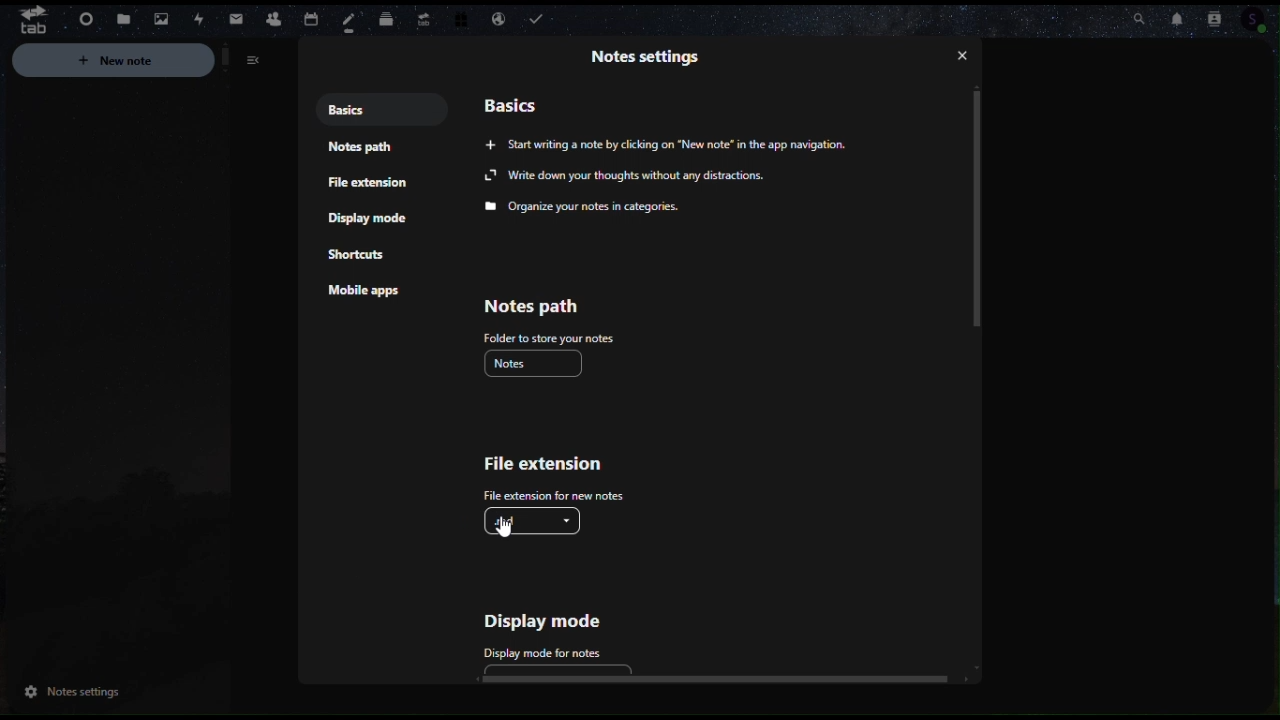  Describe the element at coordinates (530, 521) in the screenshot. I see `.md` at that location.